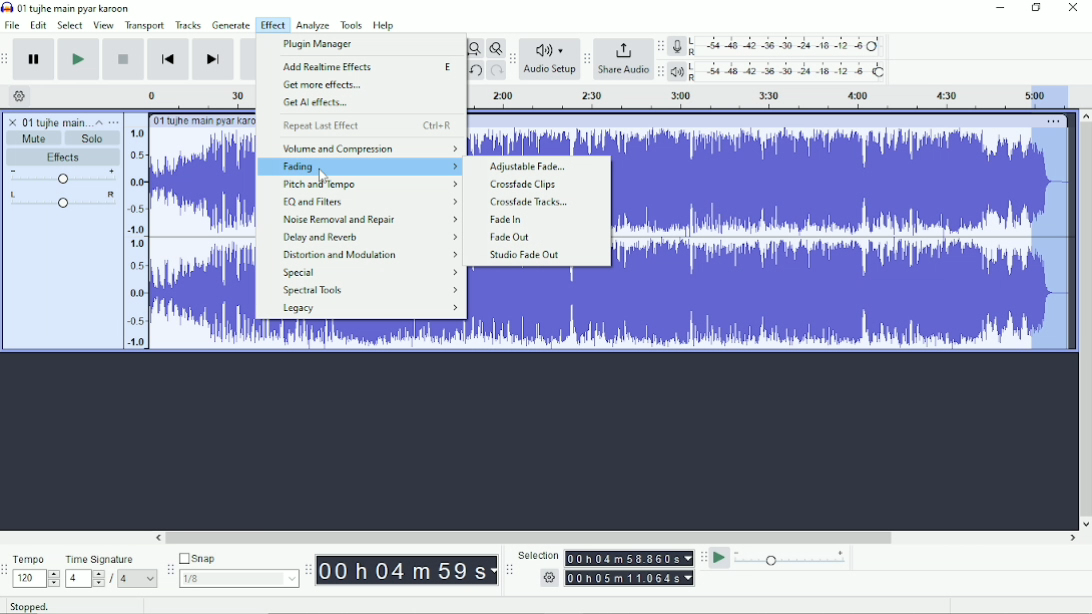  I want to click on Skip to start, so click(168, 60).